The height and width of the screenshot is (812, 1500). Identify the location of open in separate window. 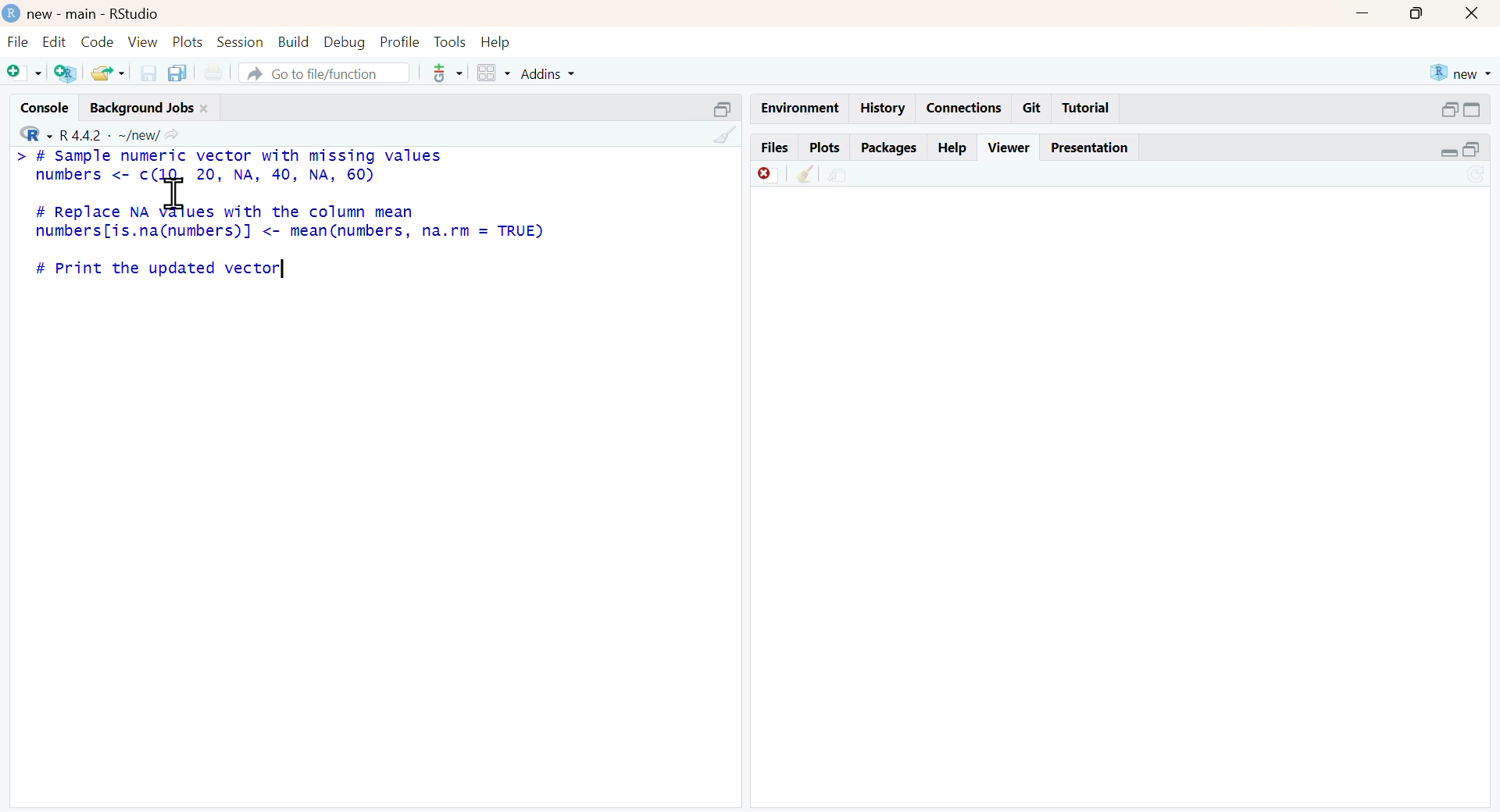
(1472, 149).